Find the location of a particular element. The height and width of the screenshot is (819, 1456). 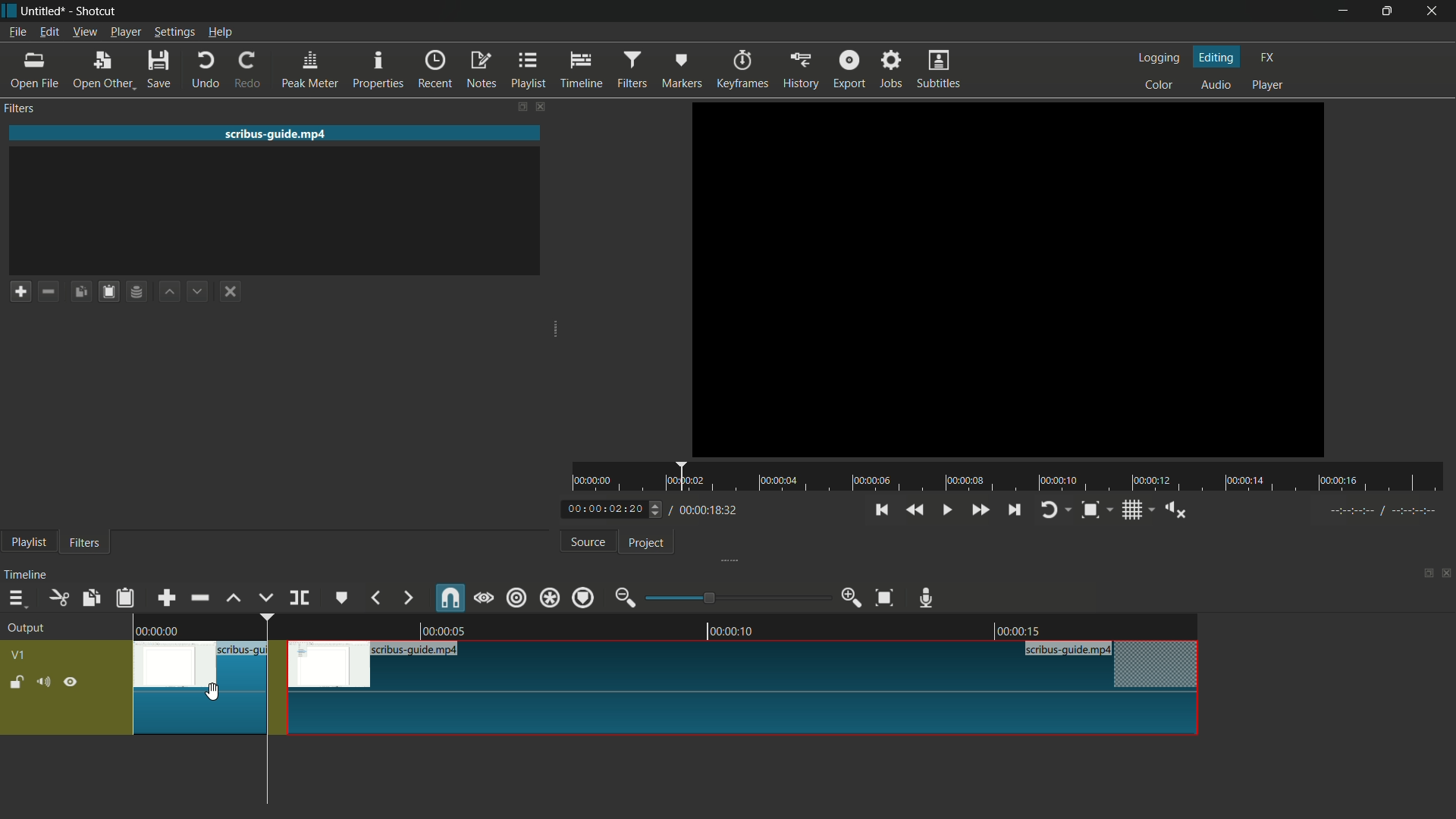

ripple all tracks is located at coordinates (549, 598).